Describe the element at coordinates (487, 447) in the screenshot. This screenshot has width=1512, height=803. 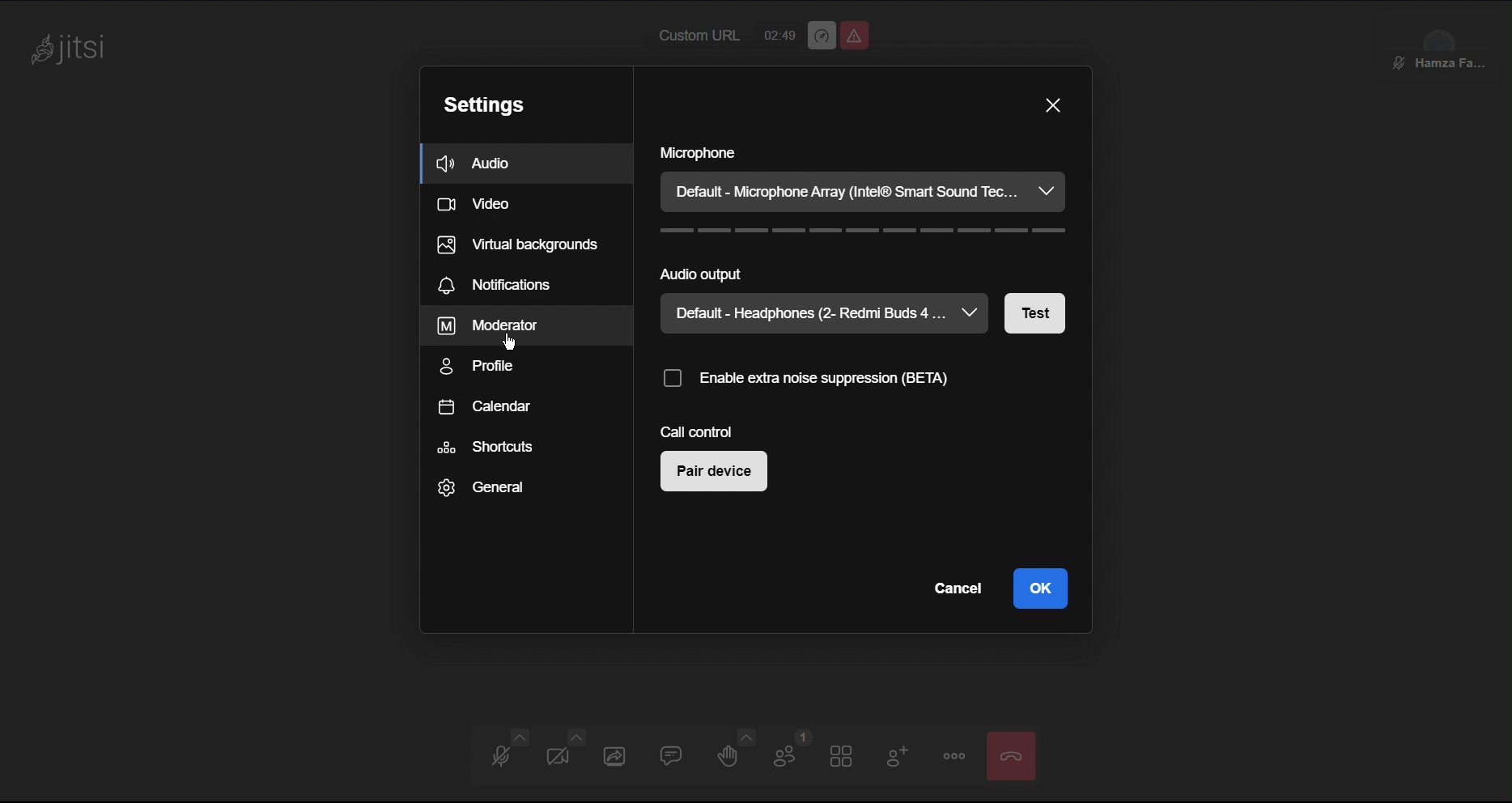
I see `Shortcuts` at that location.